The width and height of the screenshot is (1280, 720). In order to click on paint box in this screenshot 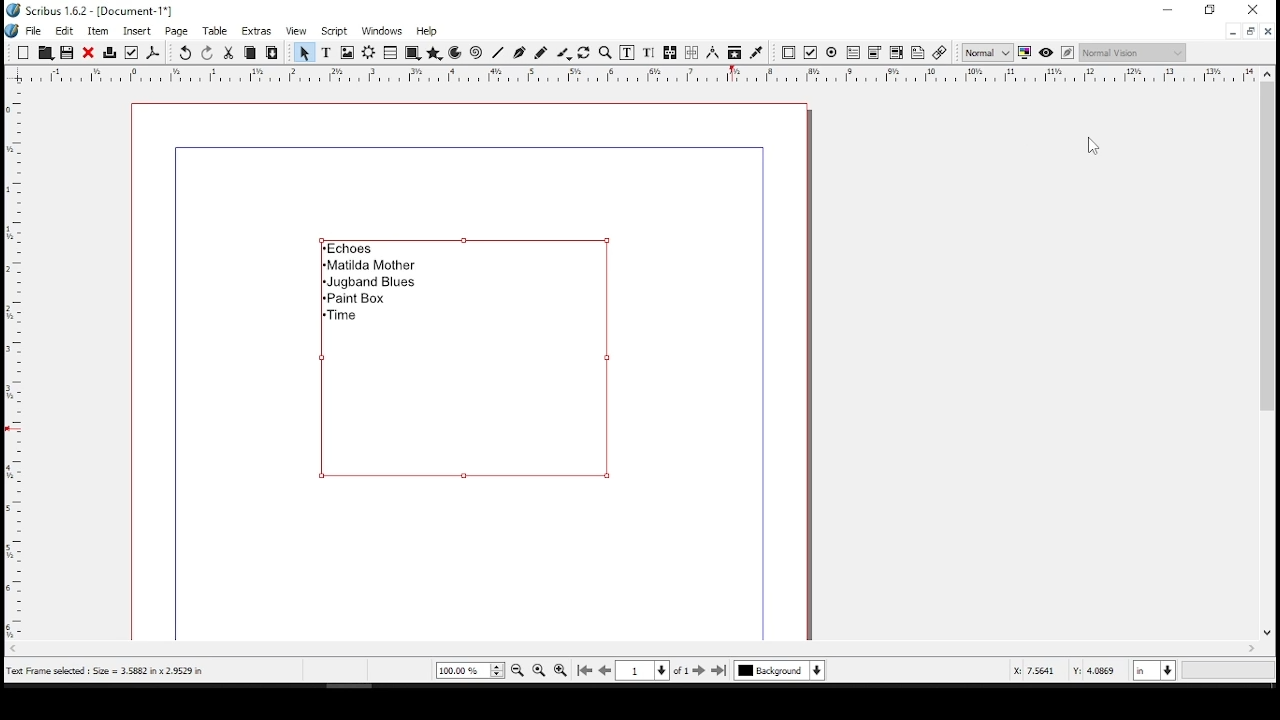, I will do `click(358, 299)`.